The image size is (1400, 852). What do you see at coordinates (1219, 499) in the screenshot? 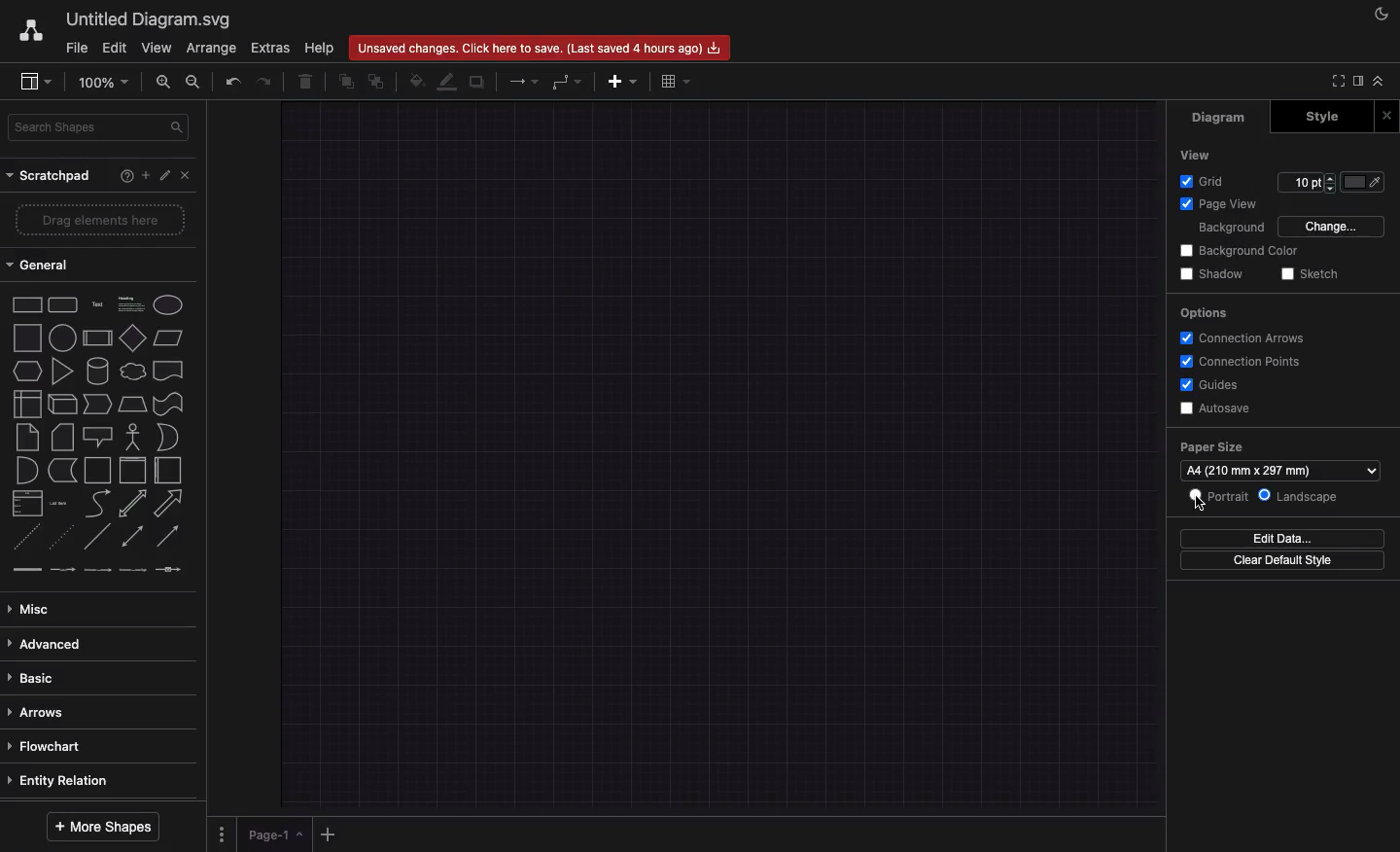
I see `Portrait` at bounding box center [1219, 499].